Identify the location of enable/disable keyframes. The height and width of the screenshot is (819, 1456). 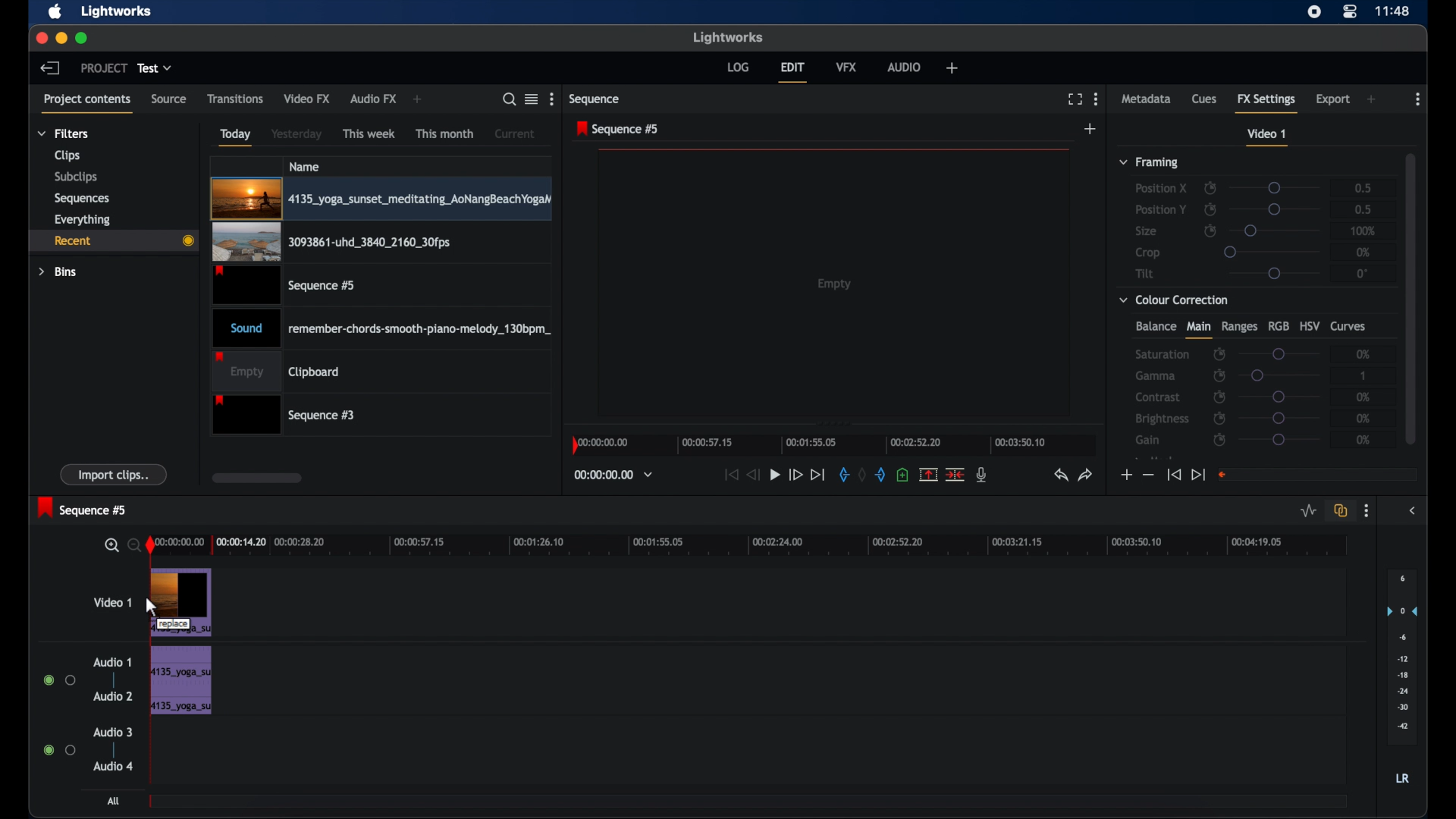
(1220, 397).